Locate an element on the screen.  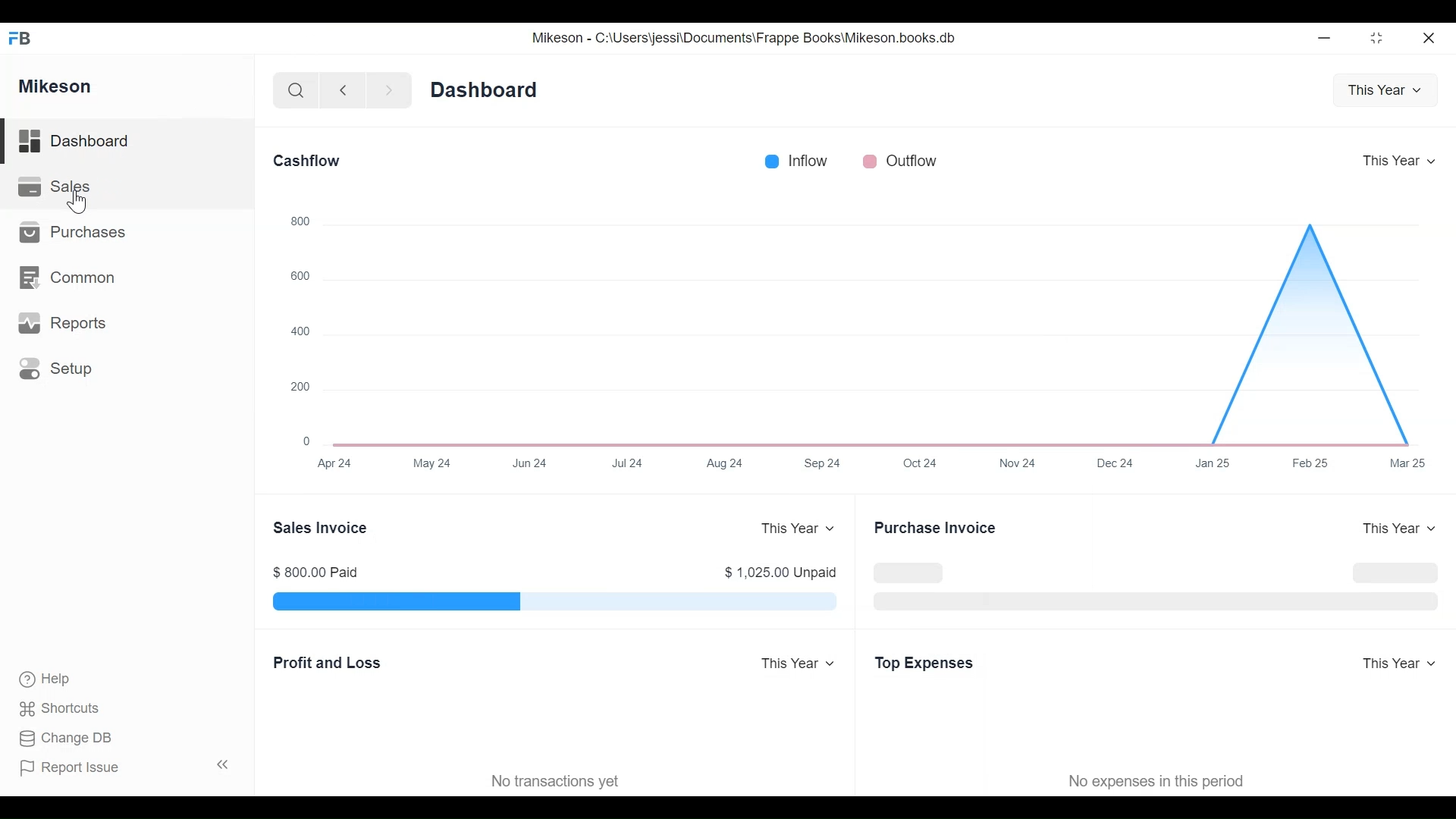
Top Expenses is located at coordinates (922, 664).